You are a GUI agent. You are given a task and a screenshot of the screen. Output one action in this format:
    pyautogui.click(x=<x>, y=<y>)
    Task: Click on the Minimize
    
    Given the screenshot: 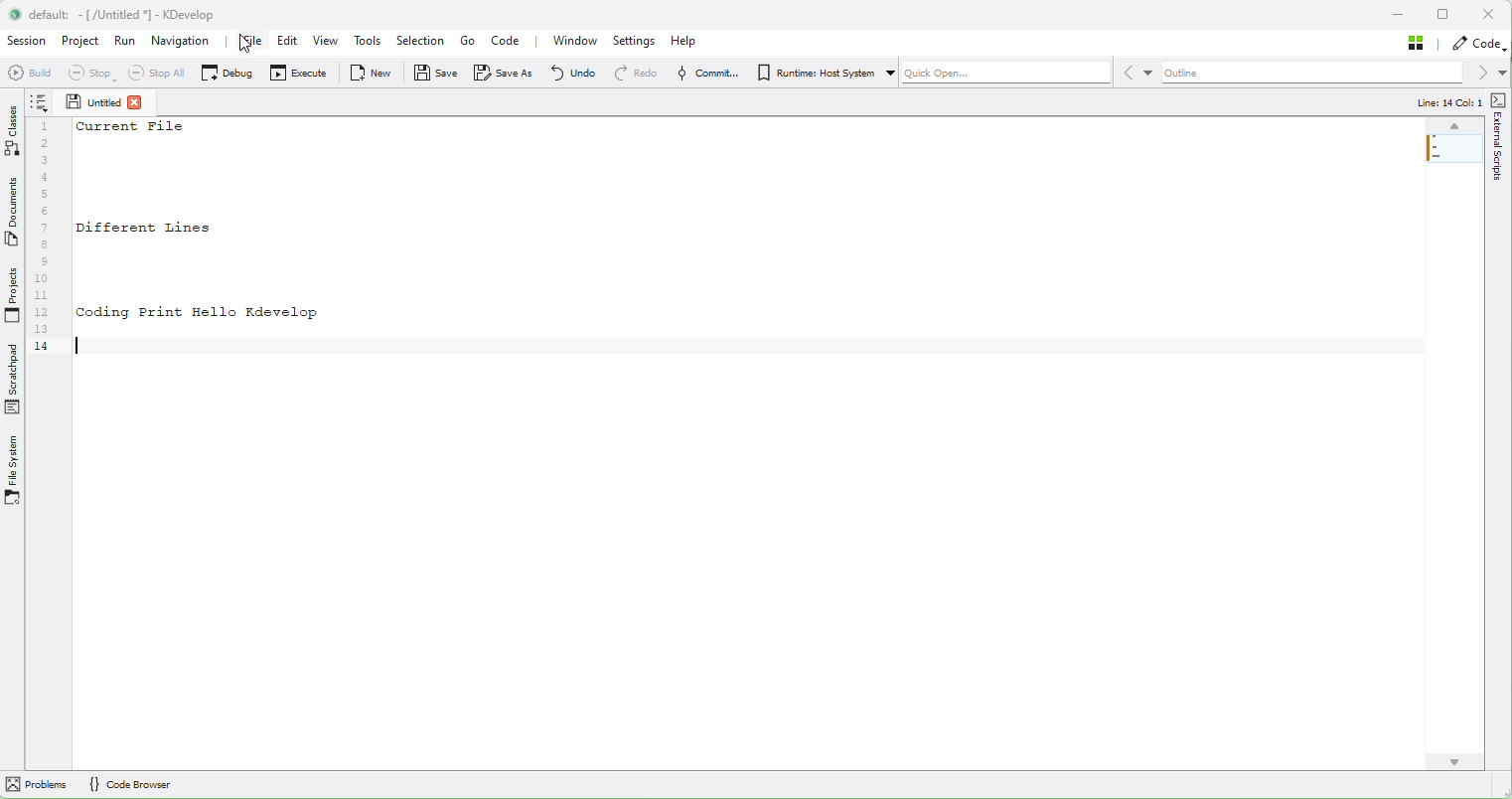 What is the action you would take?
    pyautogui.click(x=1400, y=14)
    